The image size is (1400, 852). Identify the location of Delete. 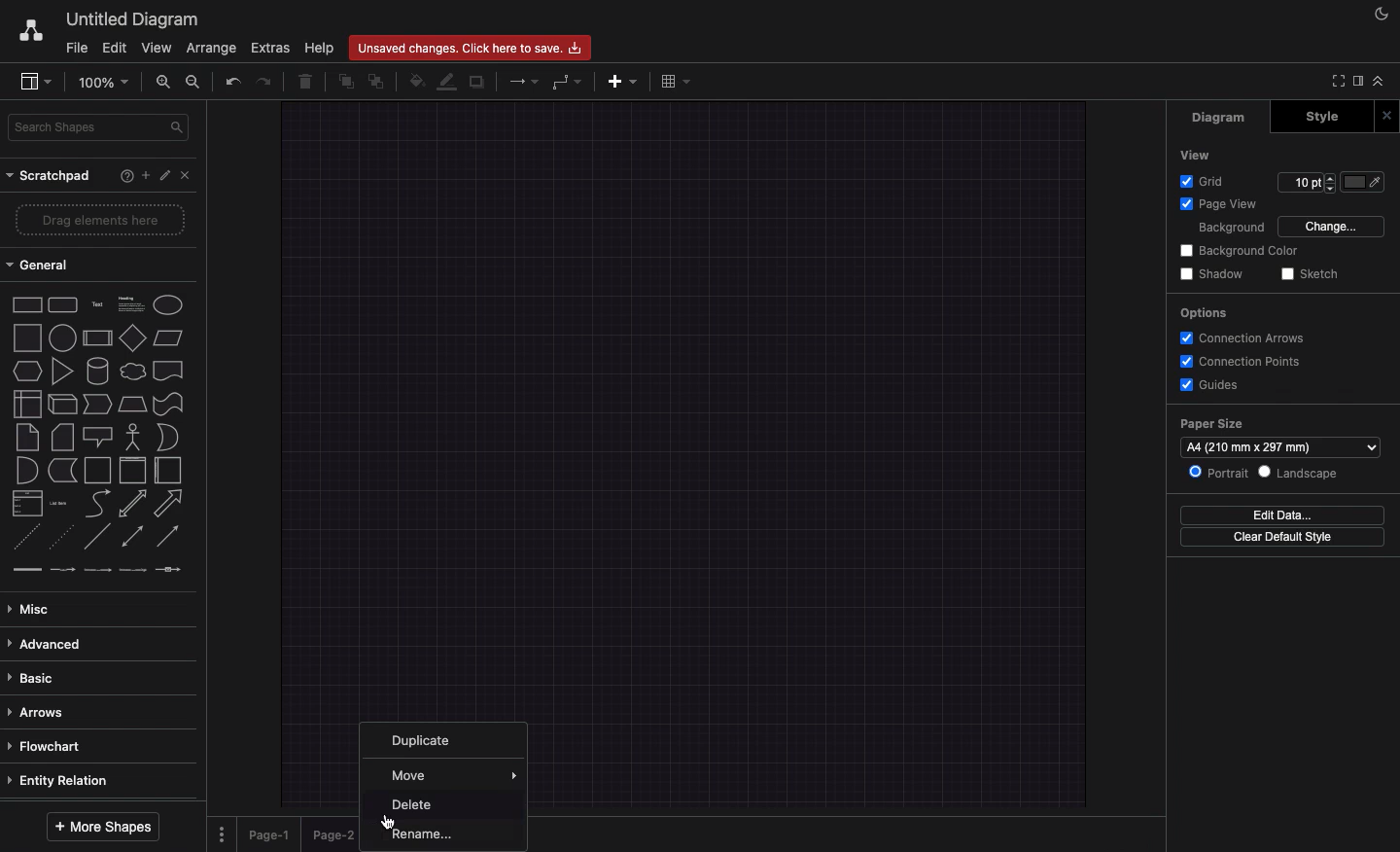
(310, 82).